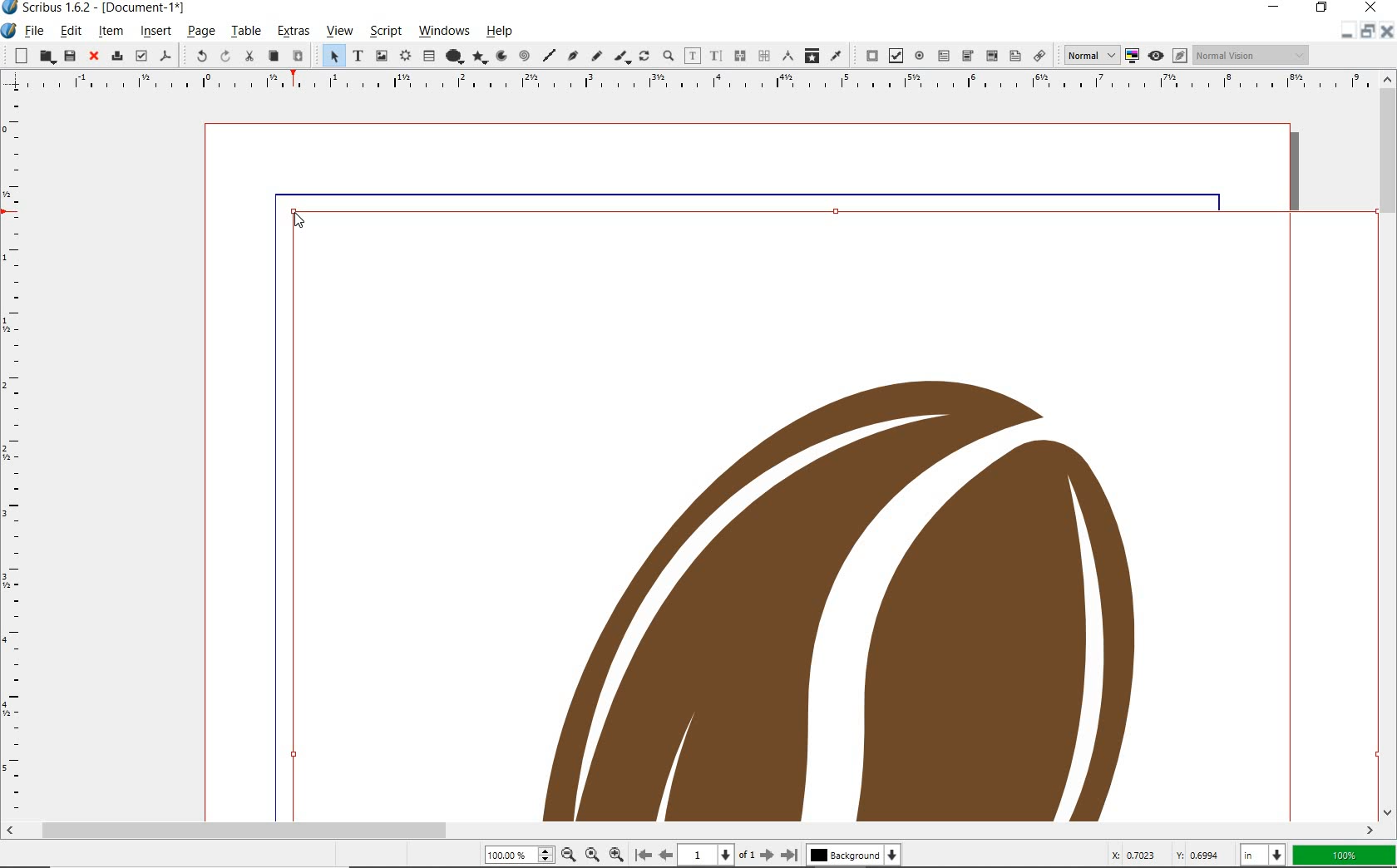  I want to click on restore down, so click(1348, 30).